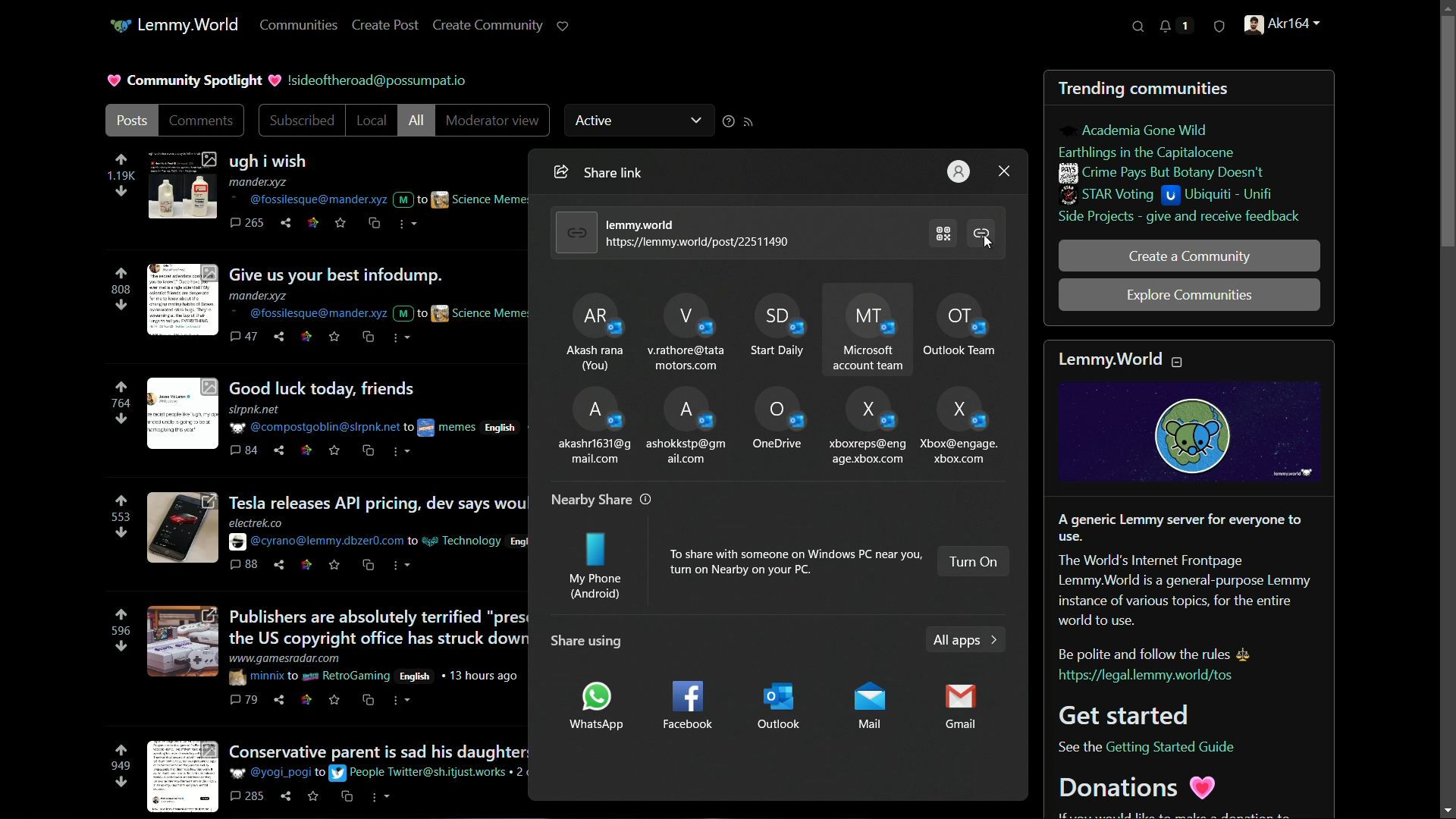  Describe the element at coordinates (336, 340) in the screenshot. I see `save` at that location.